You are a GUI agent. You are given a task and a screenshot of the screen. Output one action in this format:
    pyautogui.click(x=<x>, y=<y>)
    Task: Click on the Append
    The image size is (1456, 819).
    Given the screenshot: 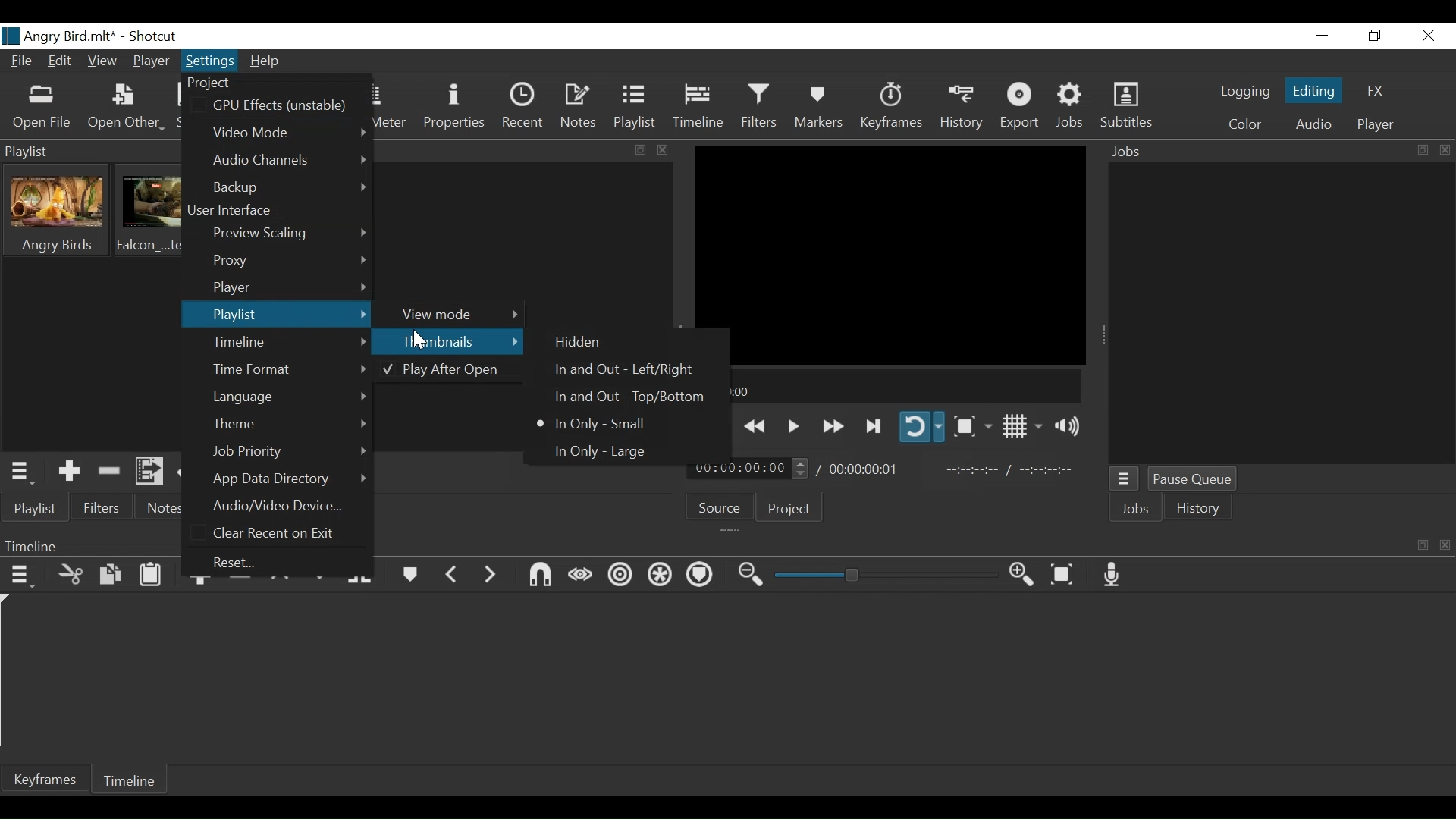 What is the action you would take?
    pyautogui.click(x=202, y=583)
    